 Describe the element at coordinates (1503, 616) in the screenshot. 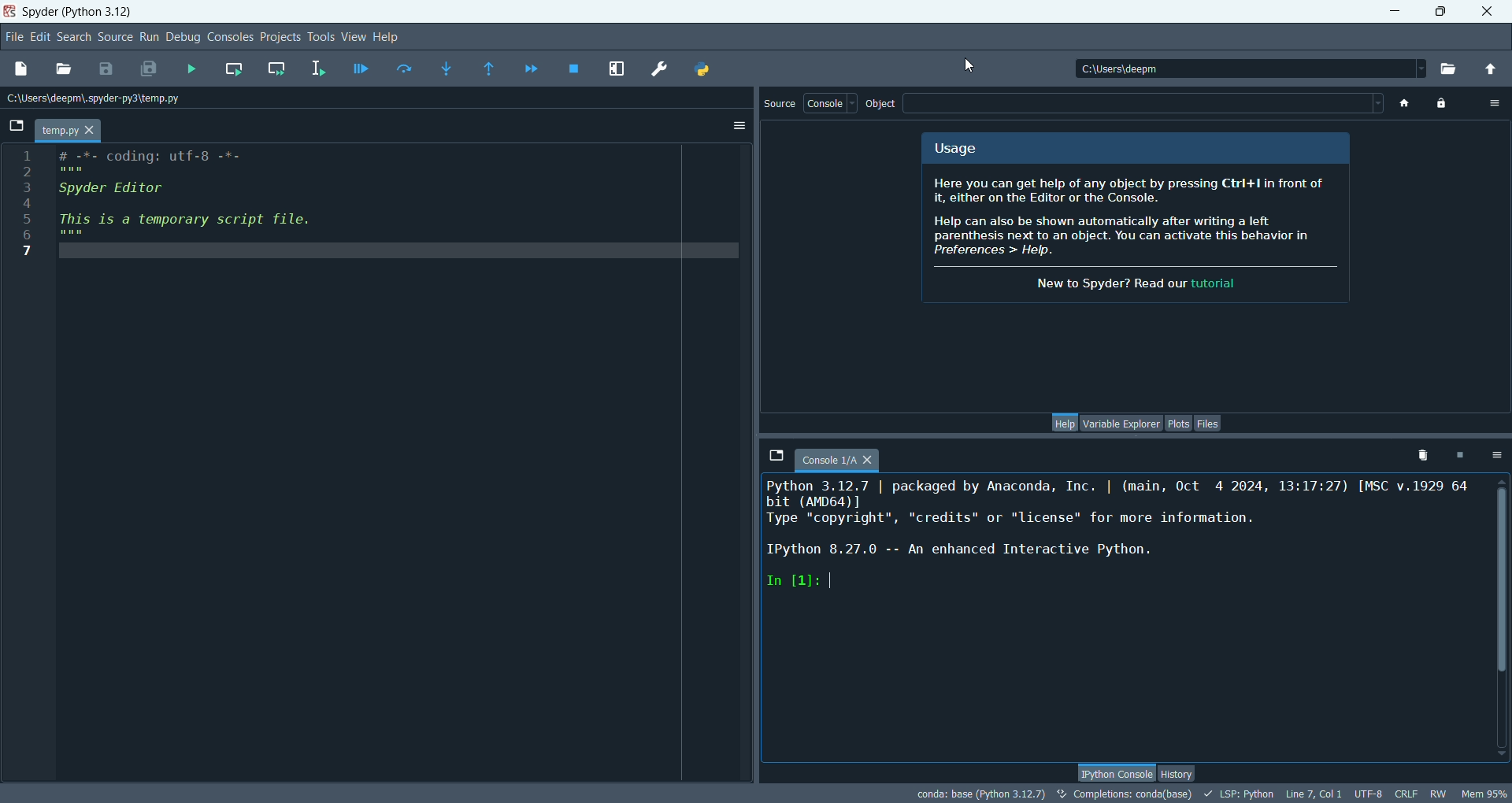

I see `vertical scroll bar` at that location.